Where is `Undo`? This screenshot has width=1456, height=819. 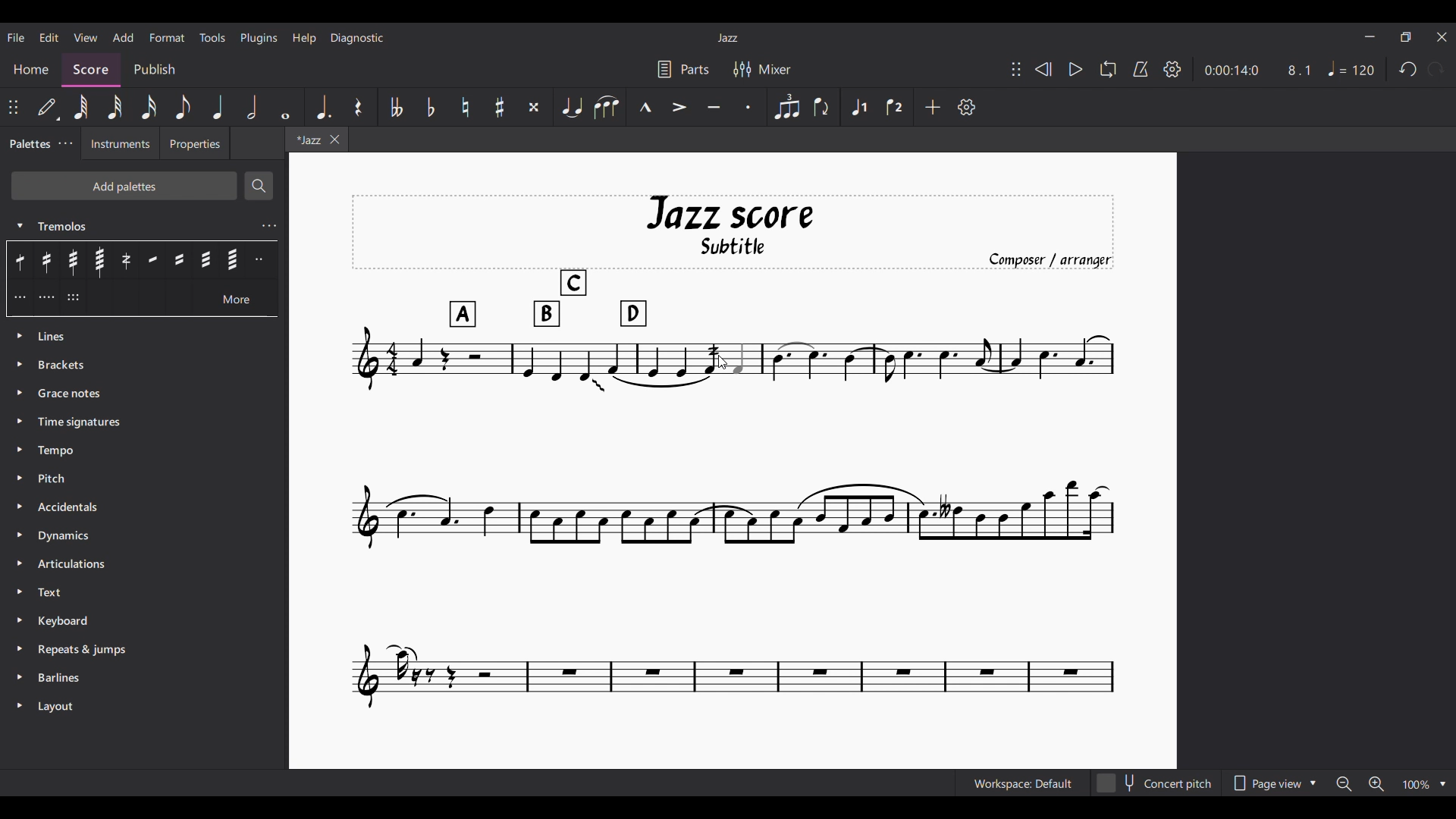 Undo is located at coordinates (1408, 69).